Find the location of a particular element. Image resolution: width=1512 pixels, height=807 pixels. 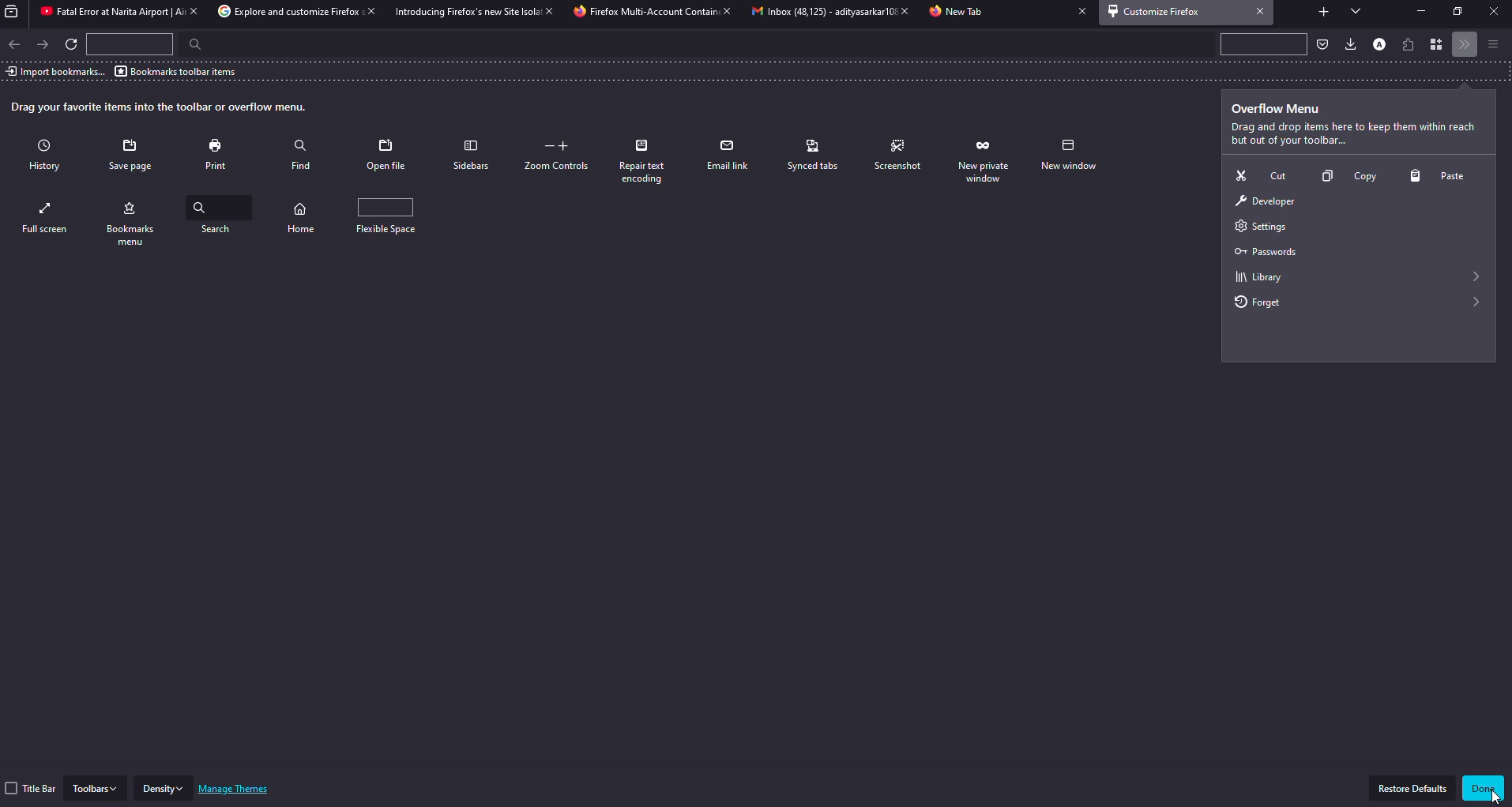

info is located at coordinates (1352, 135).